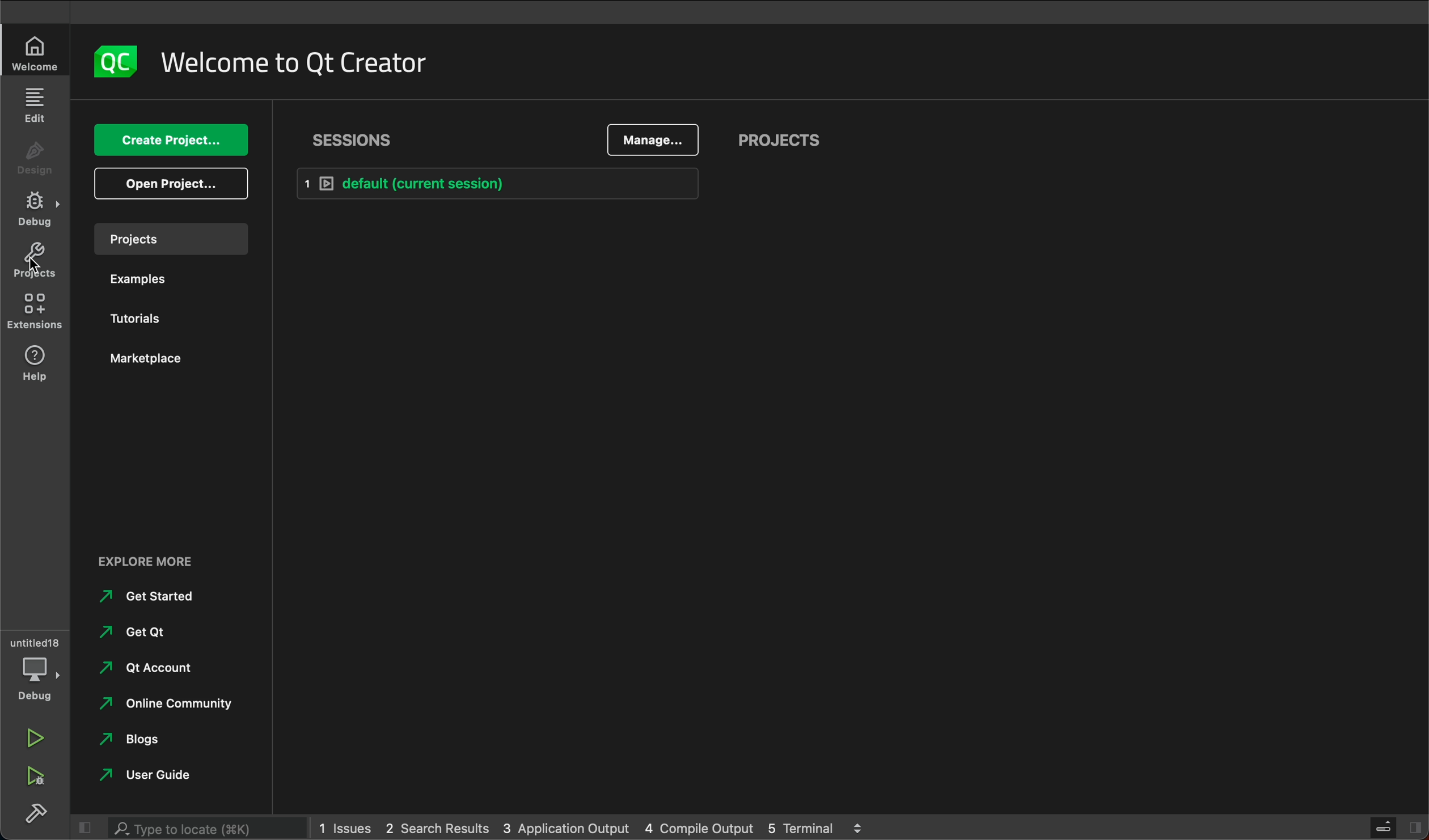 This screenshot has width=1429, height=840. What do you see at coordinates (163, 360) in the screenshot?
I see `marketplace` at bounding box center [163, 360].